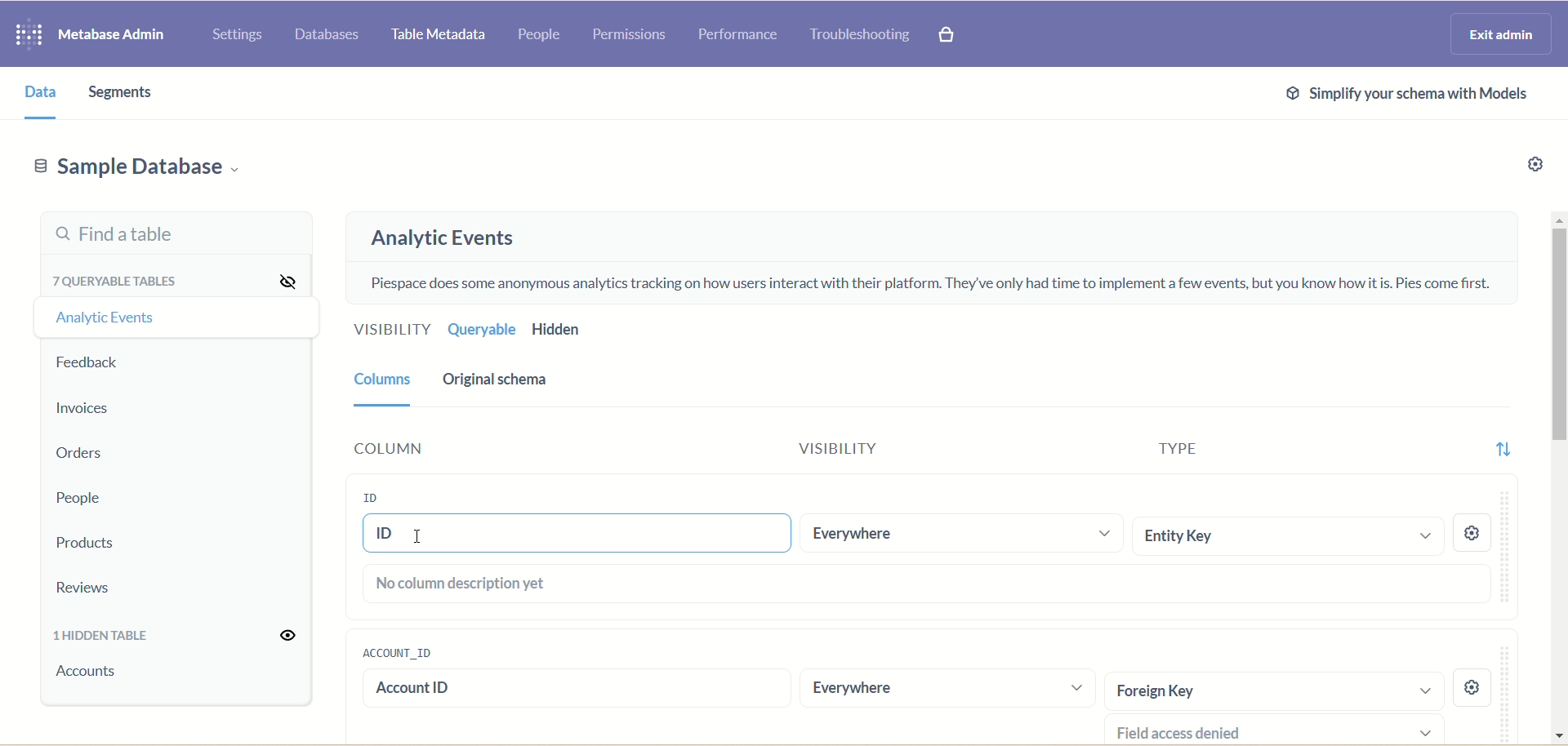  Describe the element at coordinates (834, 449) in the screenshot. I see `Visibility` at that location.